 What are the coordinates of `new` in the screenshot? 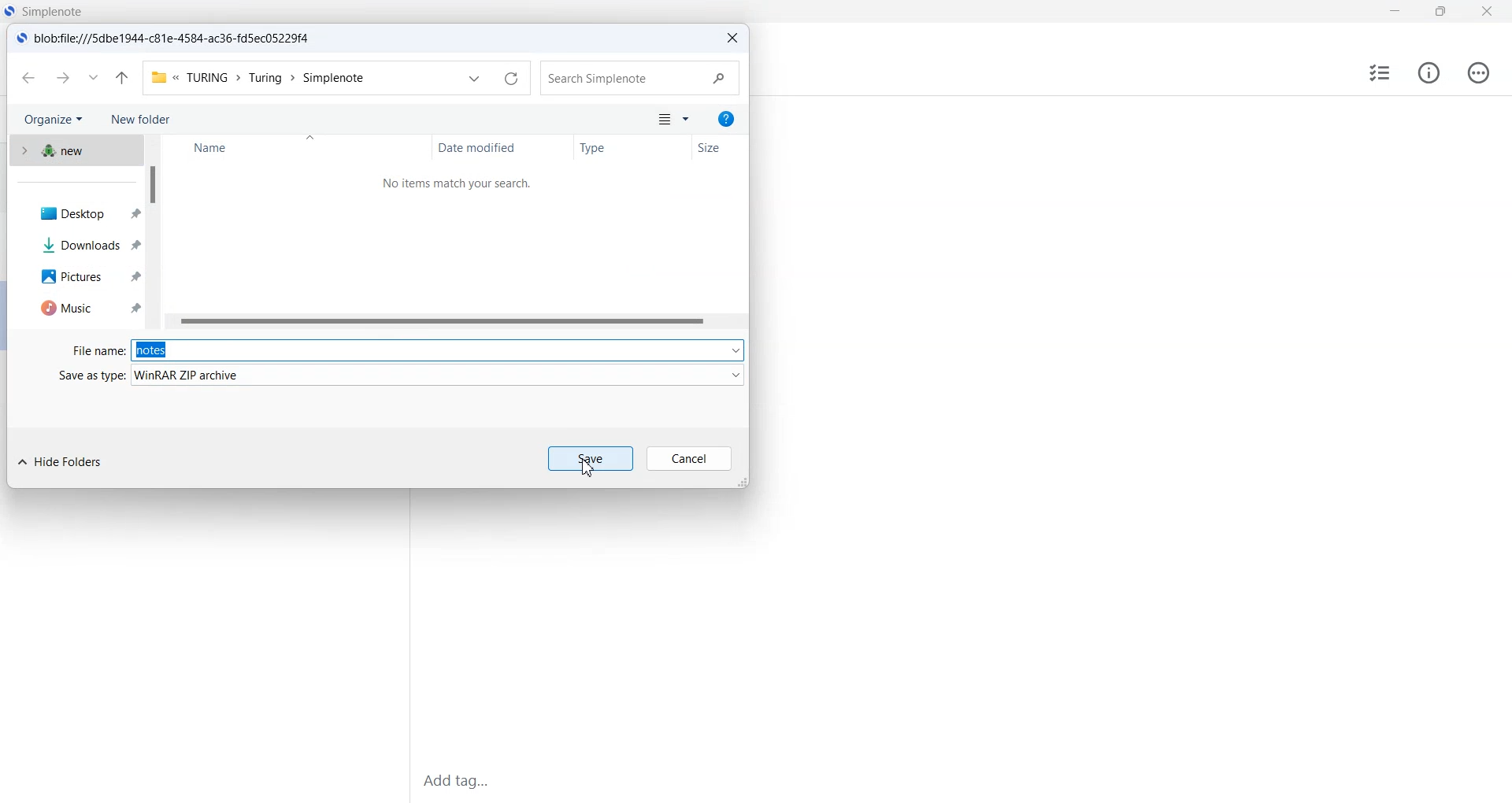 It's located at (73, 153).